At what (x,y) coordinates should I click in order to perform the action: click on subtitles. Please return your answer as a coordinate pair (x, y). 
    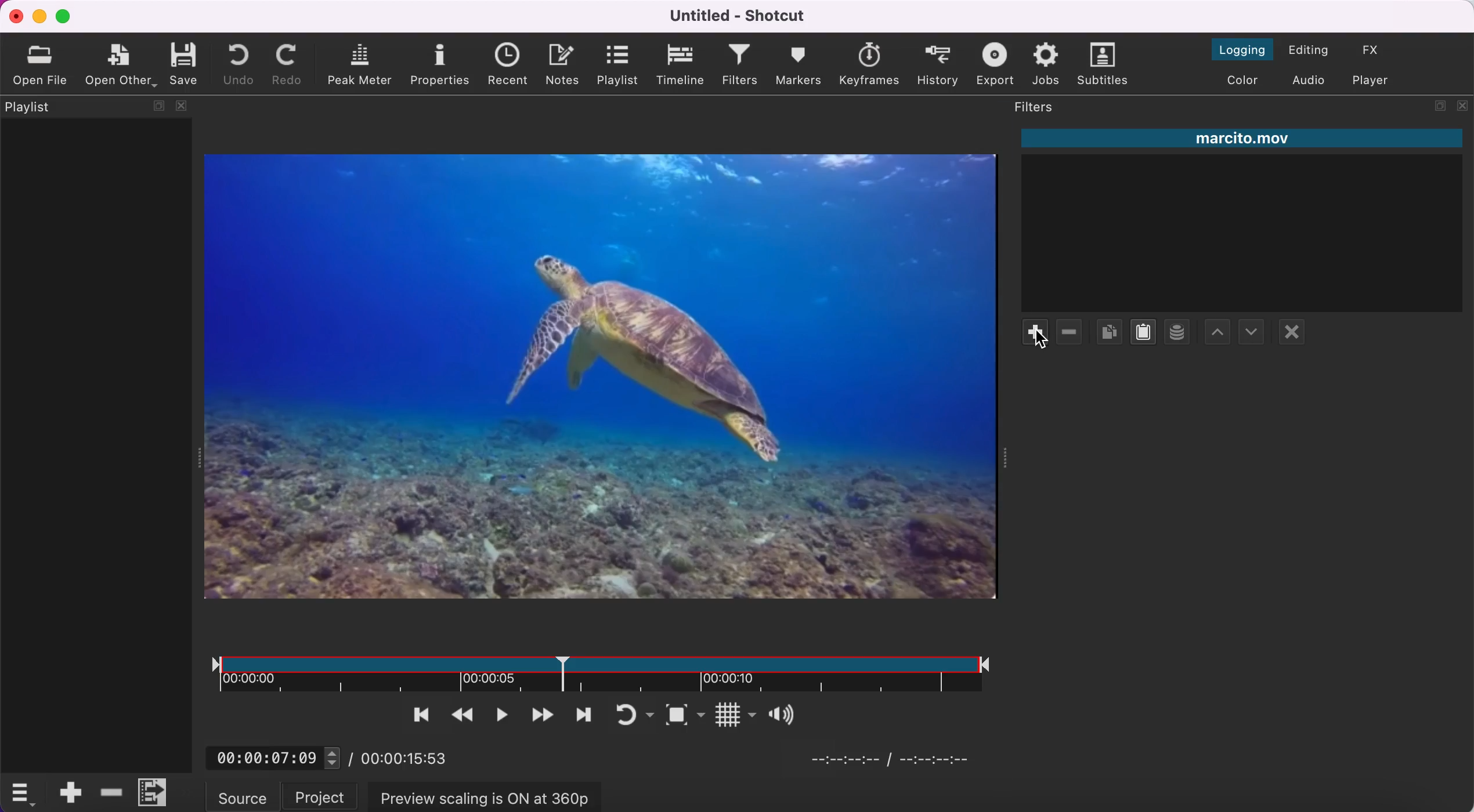
    Looking at the image, I should click on (1104, 66).